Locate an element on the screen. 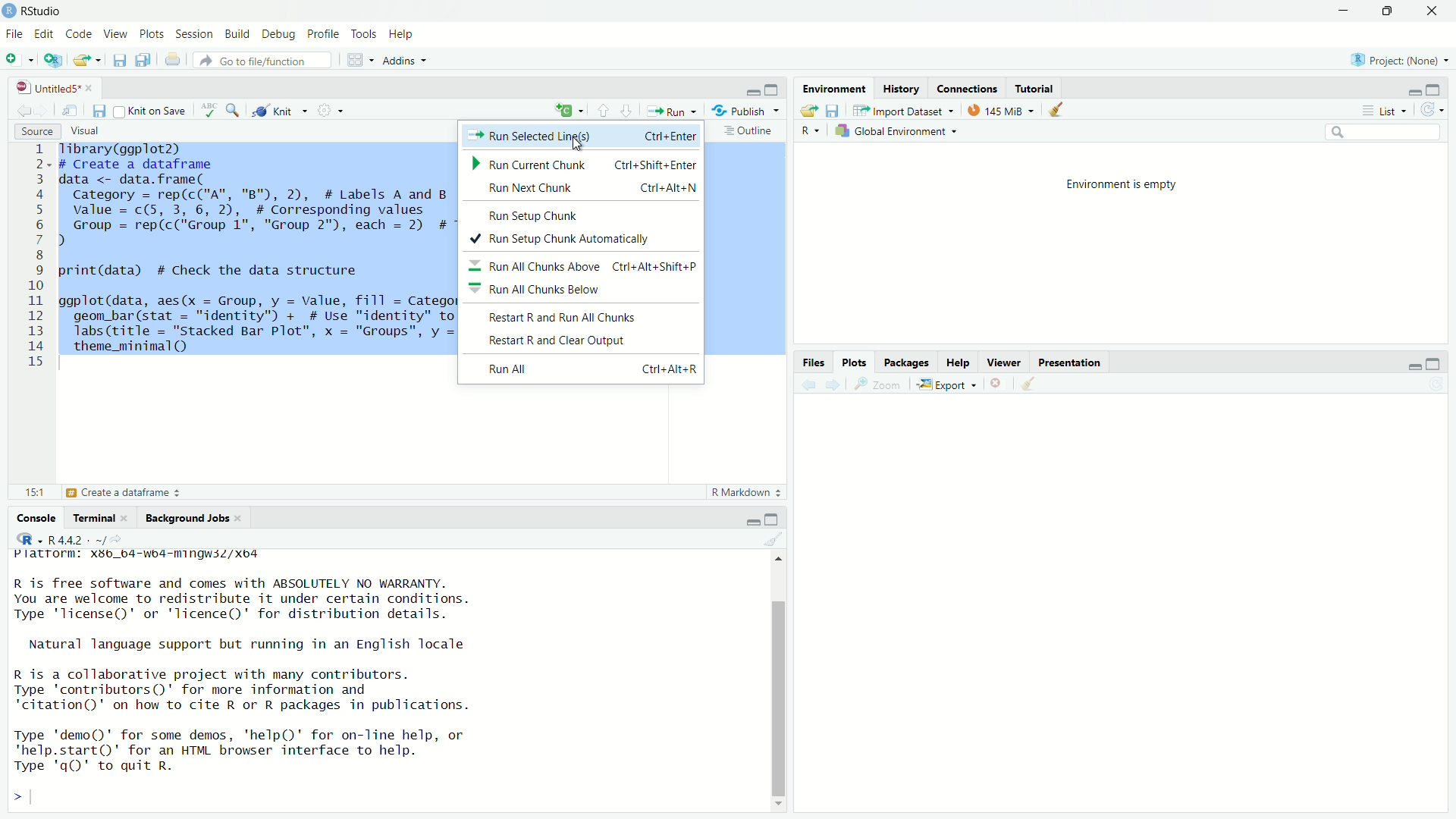 This screenshot has width=1456, height=819. 15:1 is located at coordinates (35, 491).